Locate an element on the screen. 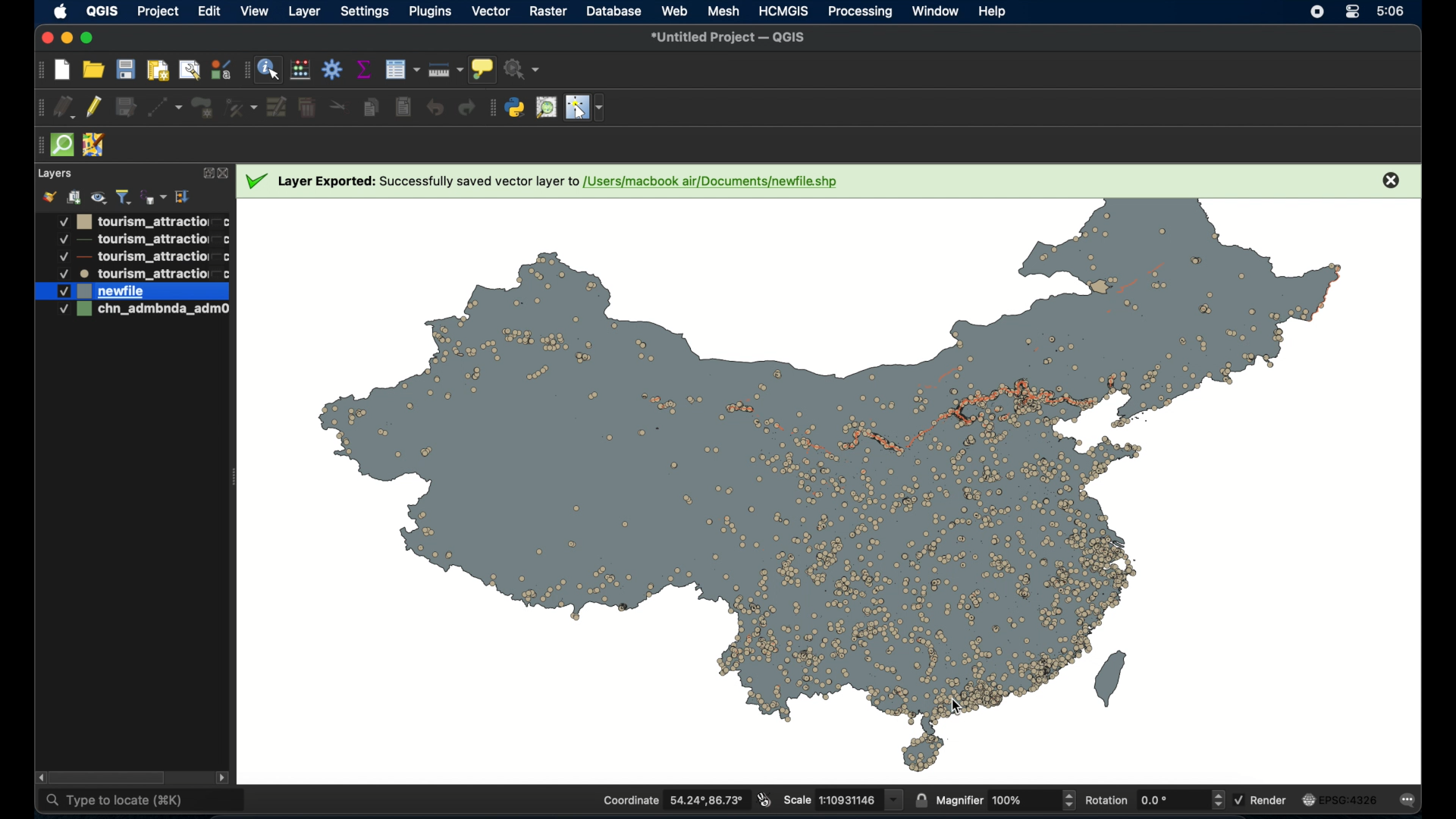  layer 2 is located at coordinates (133, 240).